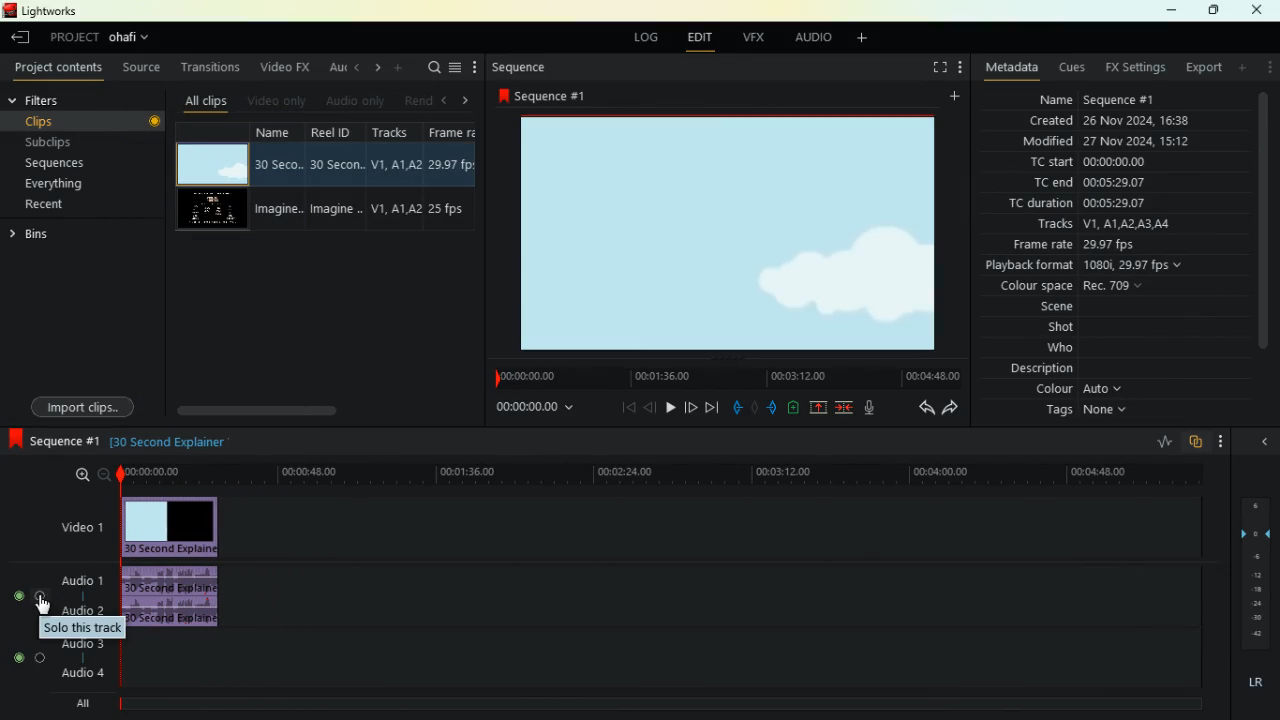 Image resolution: width=1280 pixels, height=720 pixels. What do you see at coordinates (336, 176) in the screenshot?
I see `reel id` at bounding box center [336, 176].